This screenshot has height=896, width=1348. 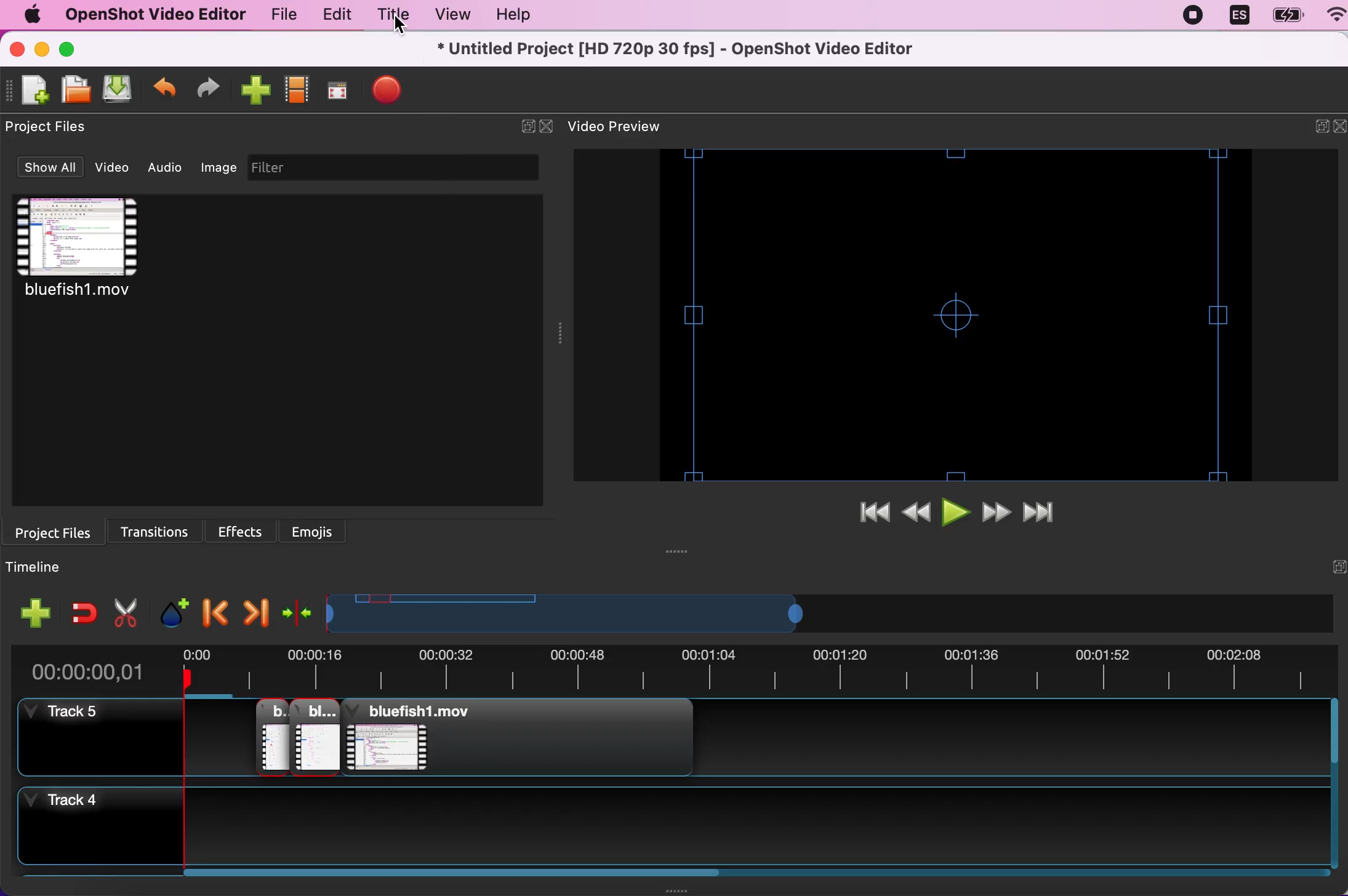 I want to click on redo, so click(x=208, y=90).